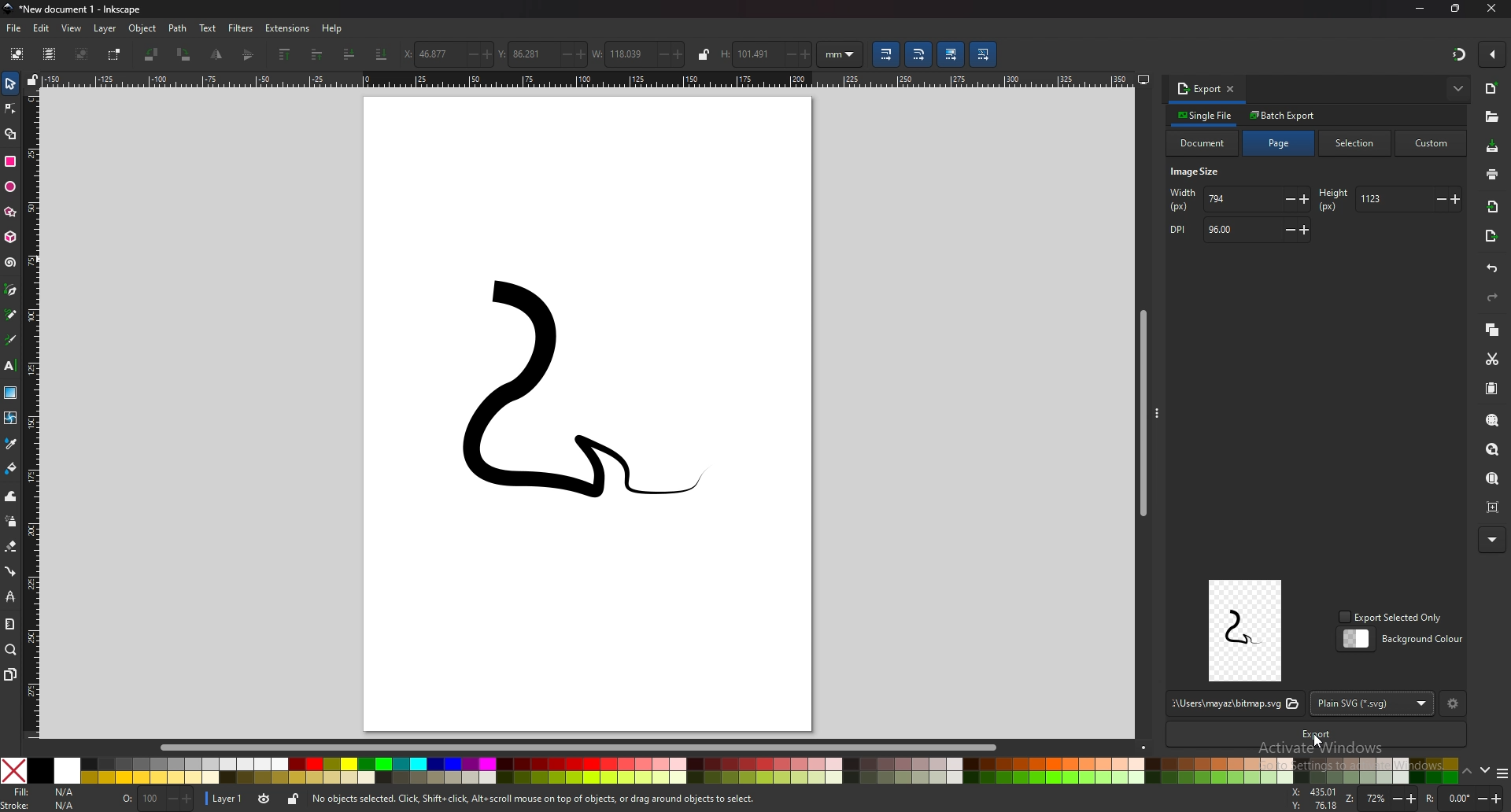  What do you see at coordinates (11, 339) in the screenshot?
I see `calligraphy` at bounding box center [11, 339].